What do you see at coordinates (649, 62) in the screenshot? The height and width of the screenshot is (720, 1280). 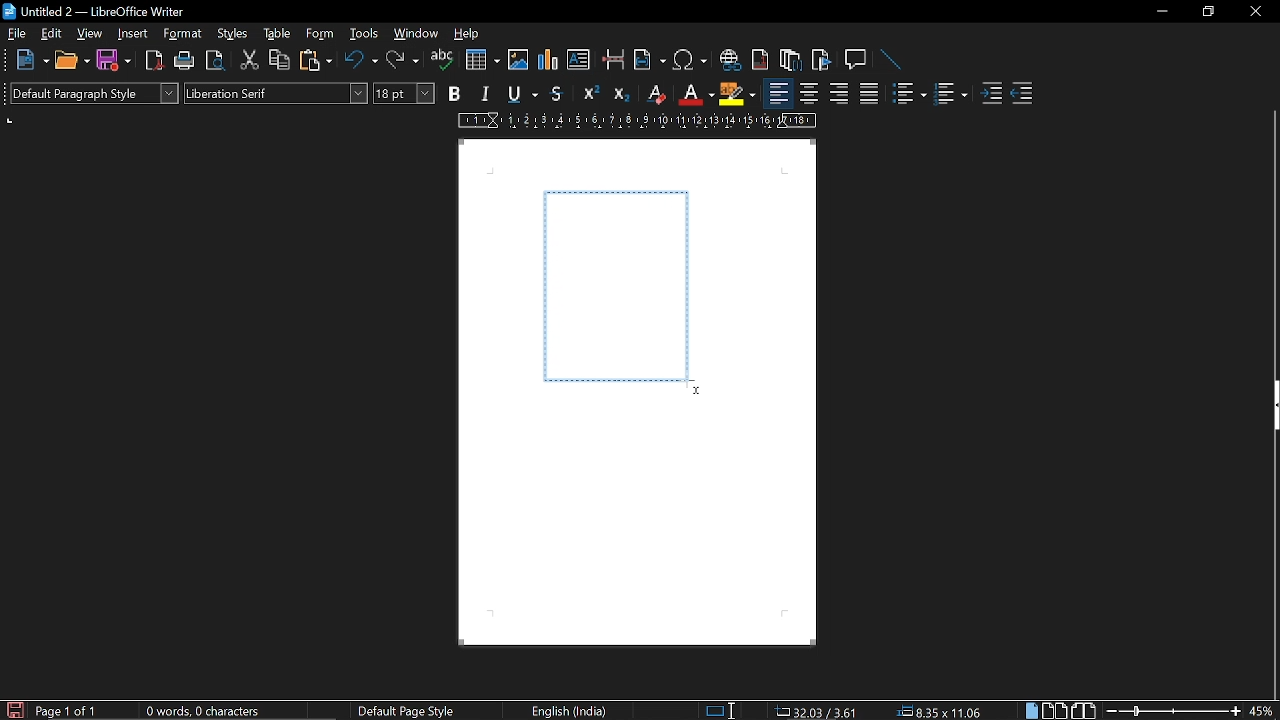 I see `insert field` at bounding box center [649, 62].